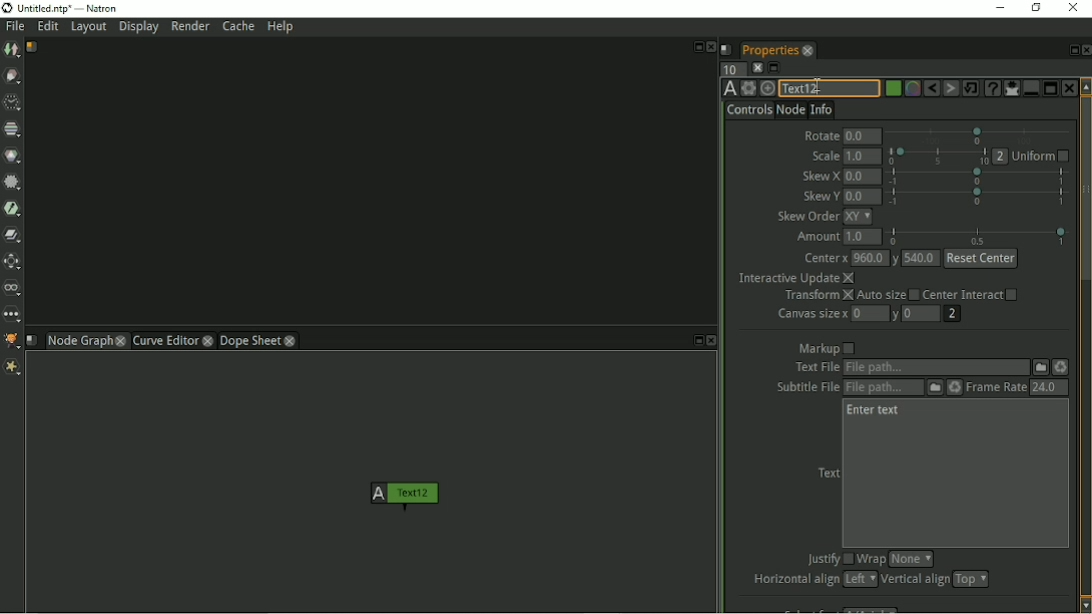 Image resolution: width=1092 pixels, height=614 pixels. I want to click on Reload the file, so click(955, 387).